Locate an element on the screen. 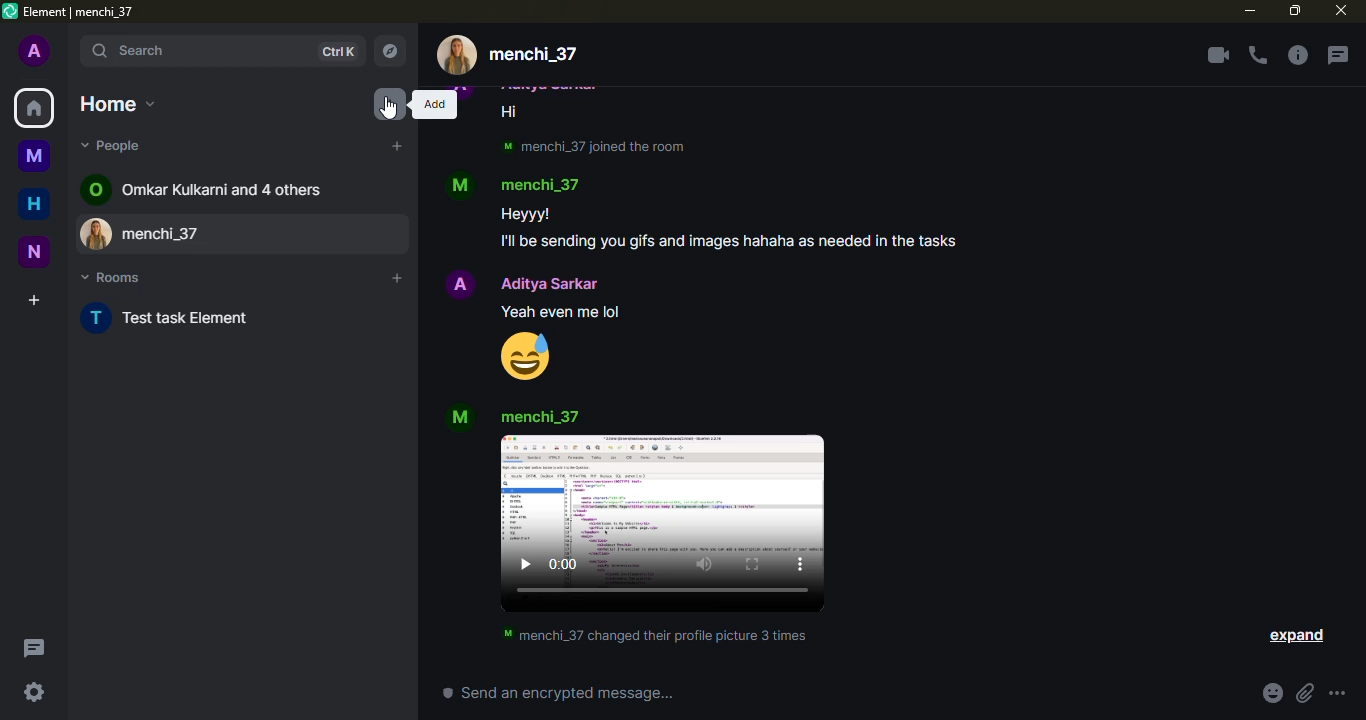 This screenshot has height=720, width=1366. search is located at coordinates (196, 51).